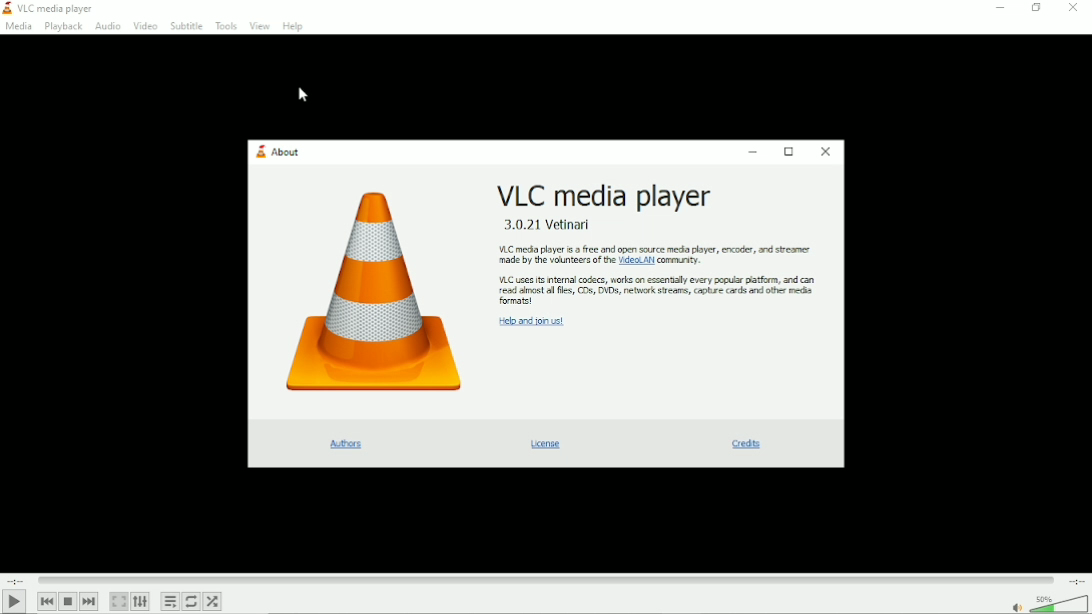  I want to click on made by the volunteers of the, so click(557, 262).